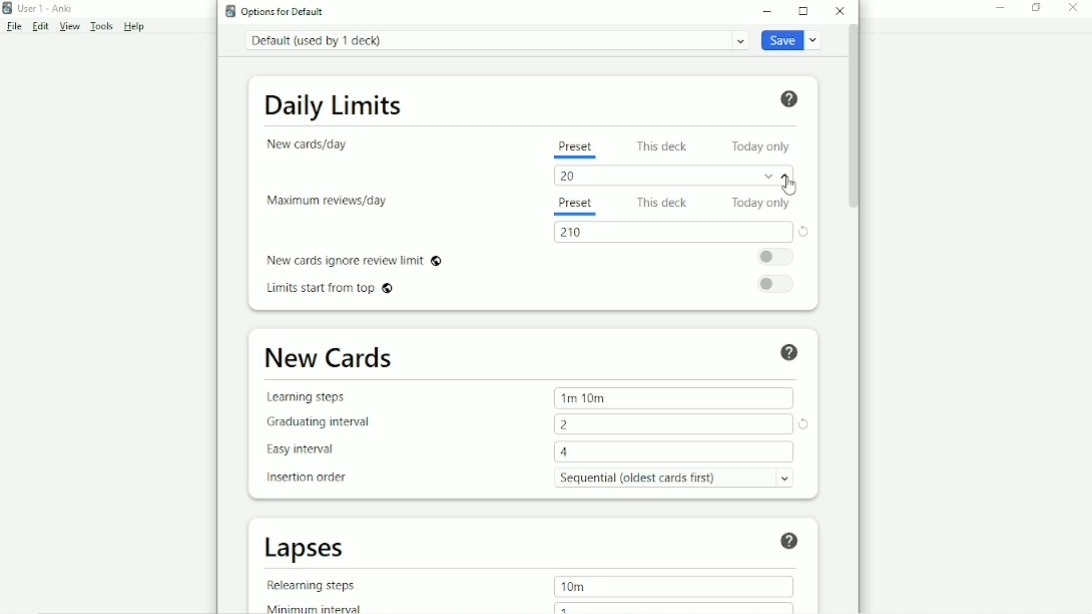 This screenshot has height=614, width=1092. I want to click on 10m, so click(574, 586).